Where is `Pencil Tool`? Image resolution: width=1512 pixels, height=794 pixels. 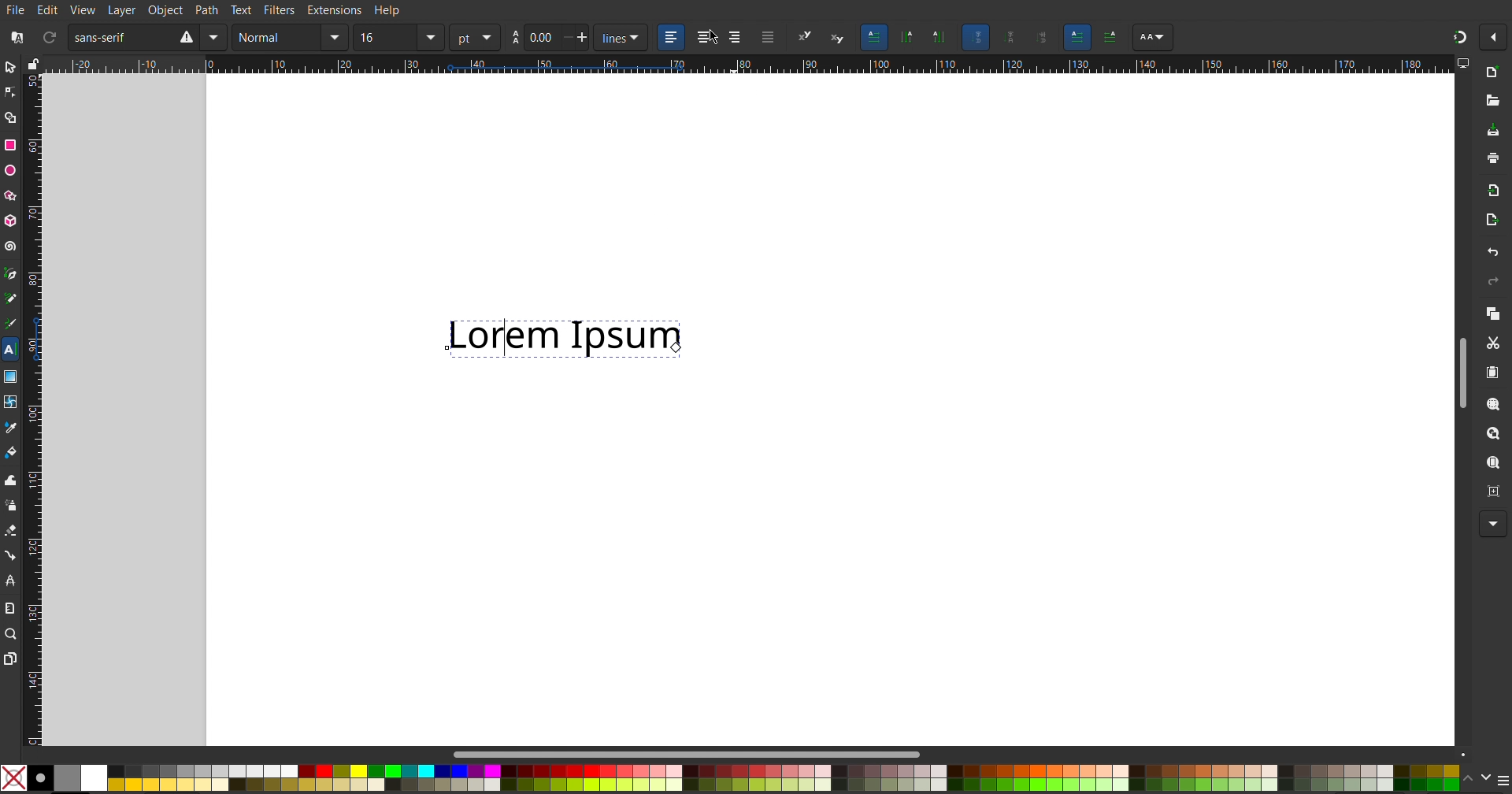
Pencil Tool is located at coordinates (13, 299).